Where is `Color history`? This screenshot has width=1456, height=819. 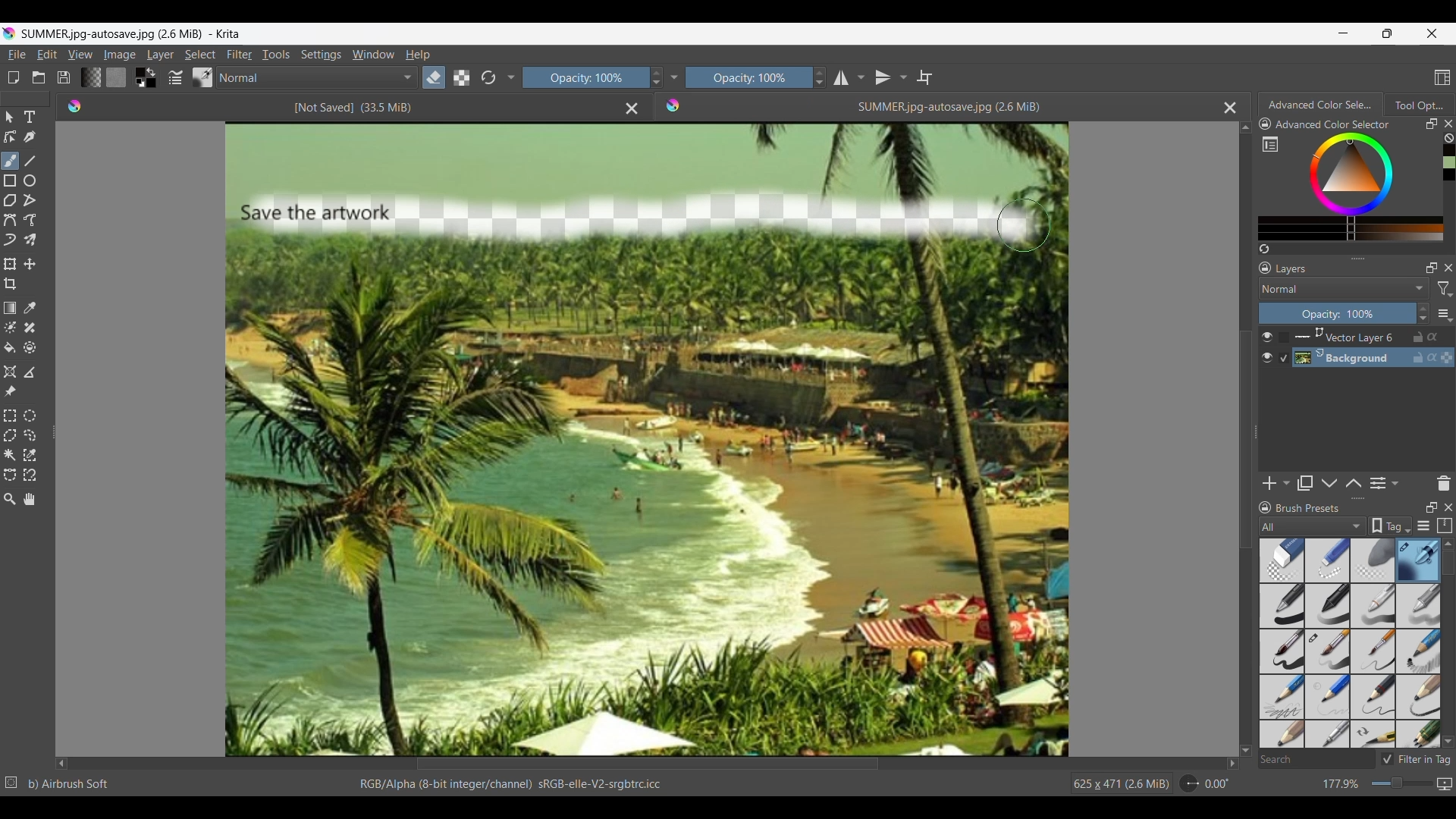
Color history is located at coordinates (1448, 162).